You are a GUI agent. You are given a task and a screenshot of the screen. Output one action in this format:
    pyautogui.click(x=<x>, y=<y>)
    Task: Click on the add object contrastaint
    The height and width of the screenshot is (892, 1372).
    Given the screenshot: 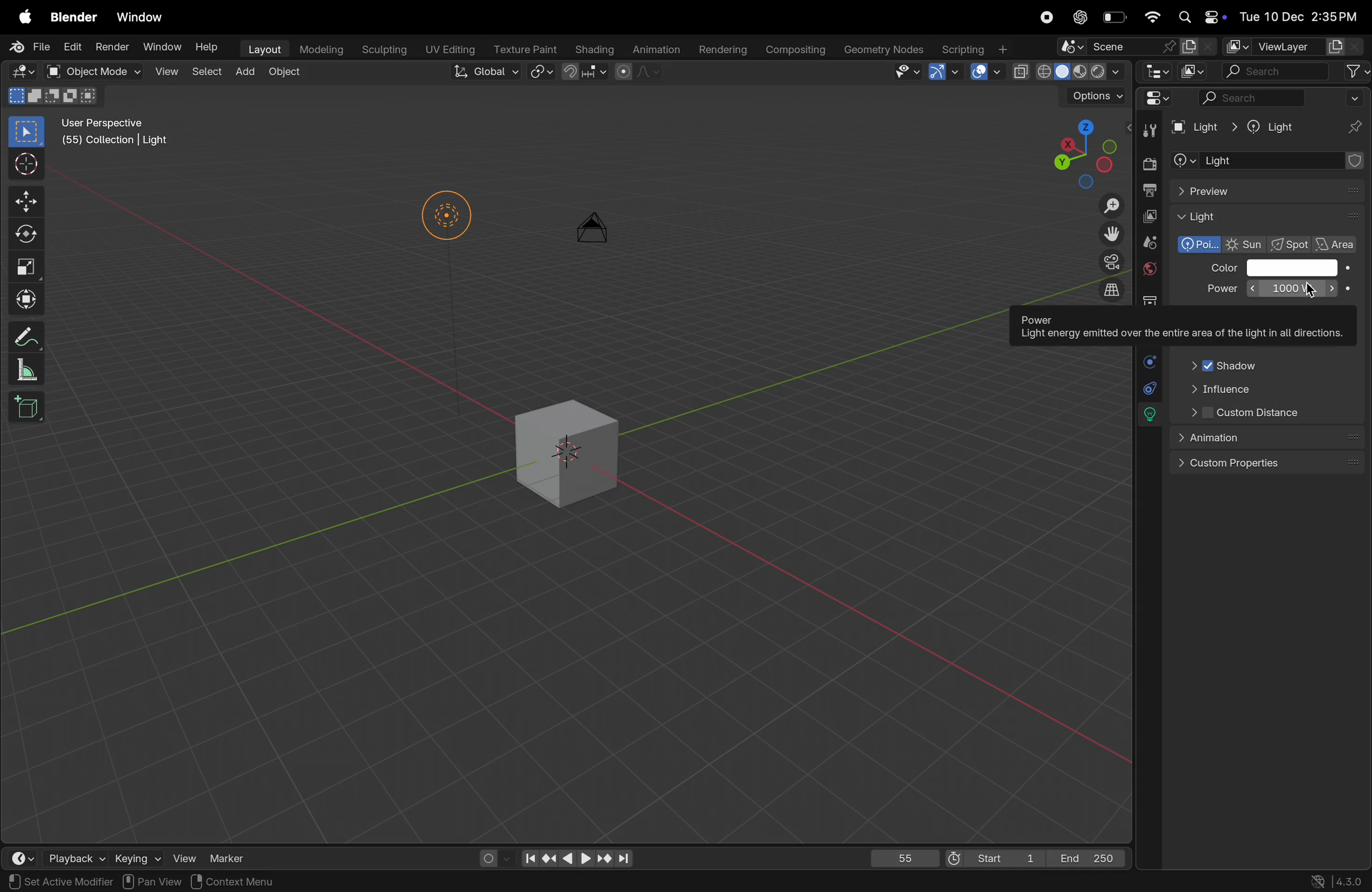 What is the action you would take?
    pyautogui.click(x=1266, y=161)
    